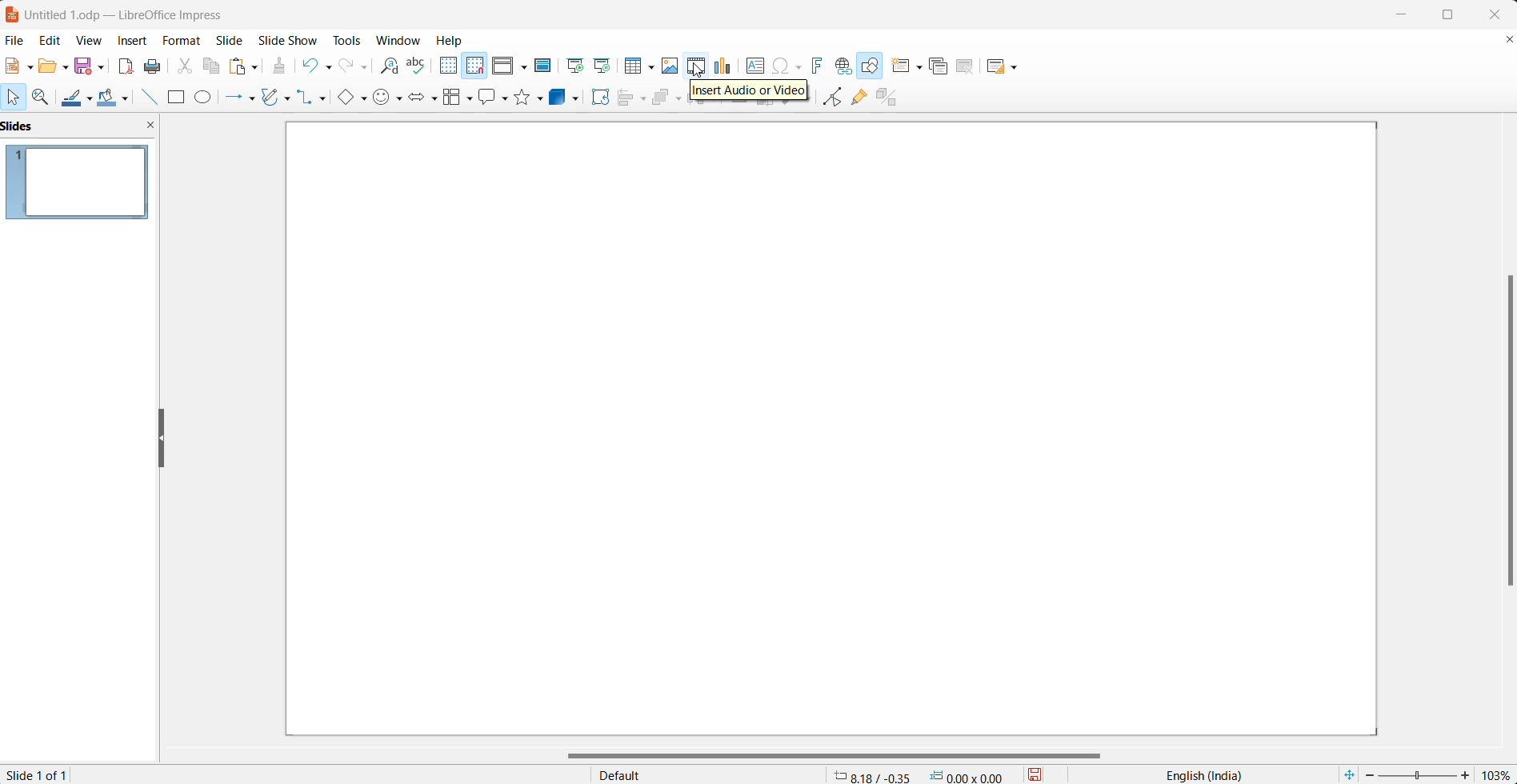 Image resolution: width=1517 pixels, height=784 pixels. What do you see at coordinates (401, 99) in the screenshot?
I see `symbol shapes option` at bounding box center [401, 99].